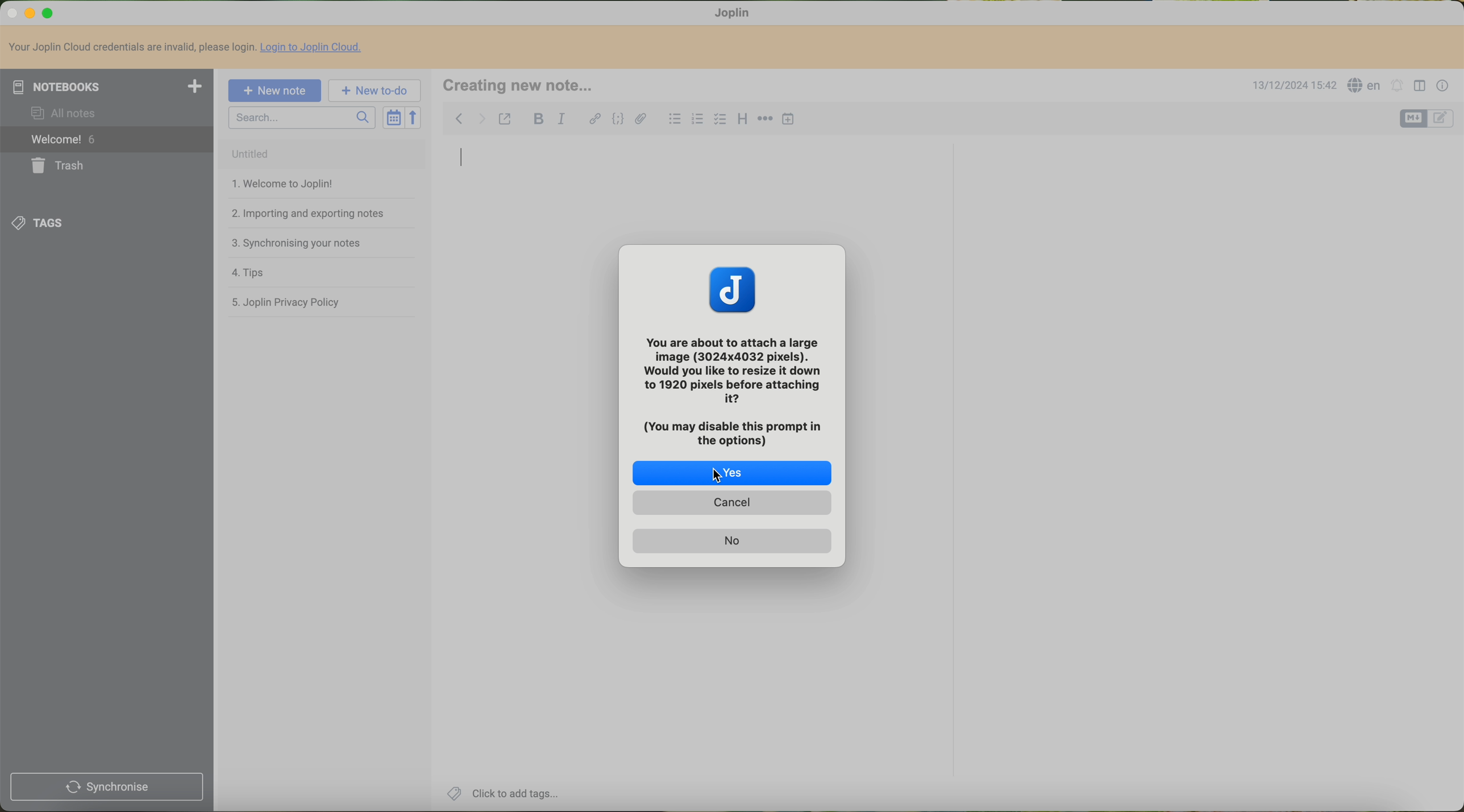 This screenshot has width=1464, height=812. Describe the element at coordinates (459, 118) in the screenshot. I see `navigate back note` at that location.